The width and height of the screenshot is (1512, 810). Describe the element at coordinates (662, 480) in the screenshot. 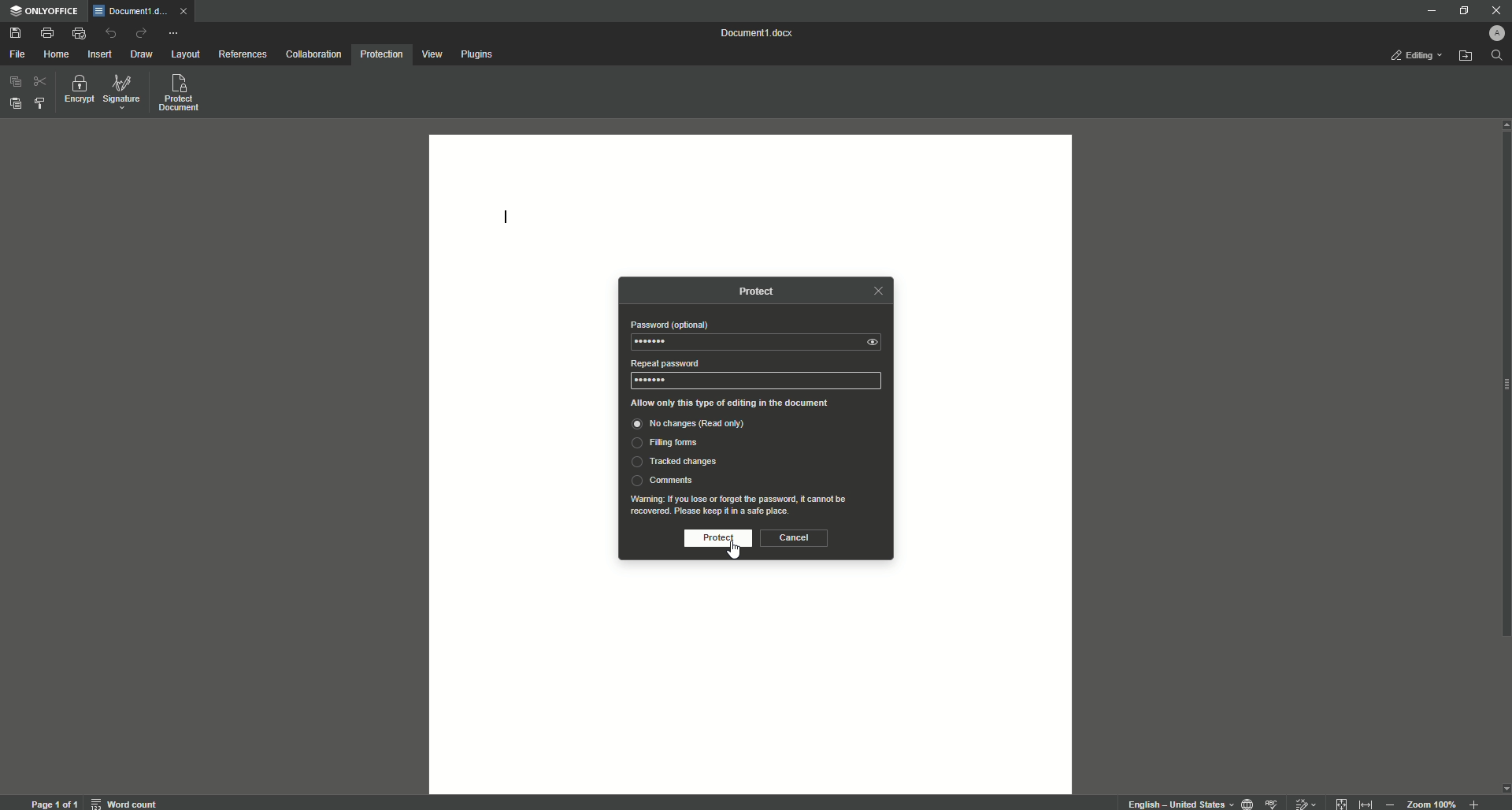

I see `Comments` at that location.